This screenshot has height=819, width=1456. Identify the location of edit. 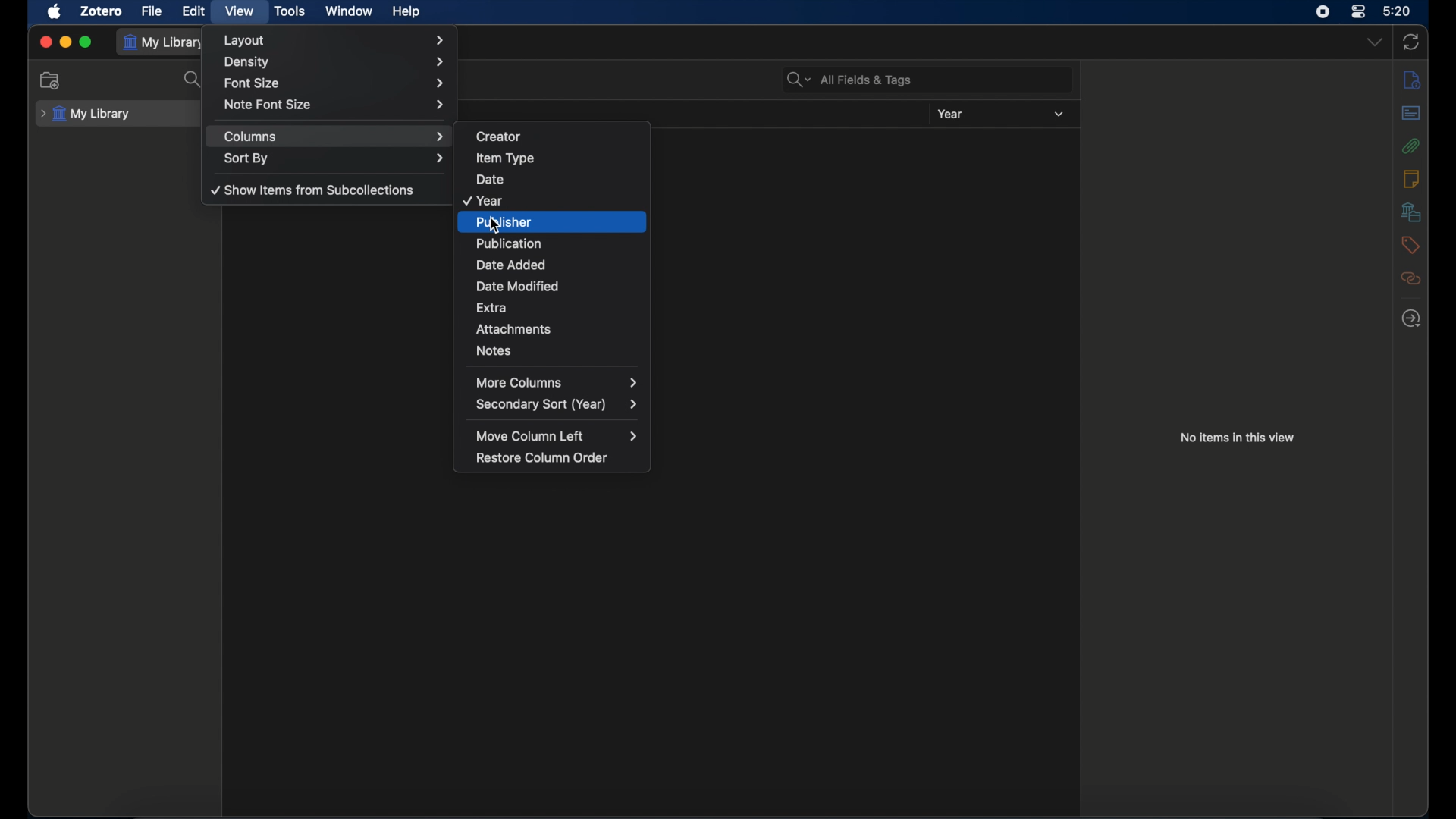
(196, 11).